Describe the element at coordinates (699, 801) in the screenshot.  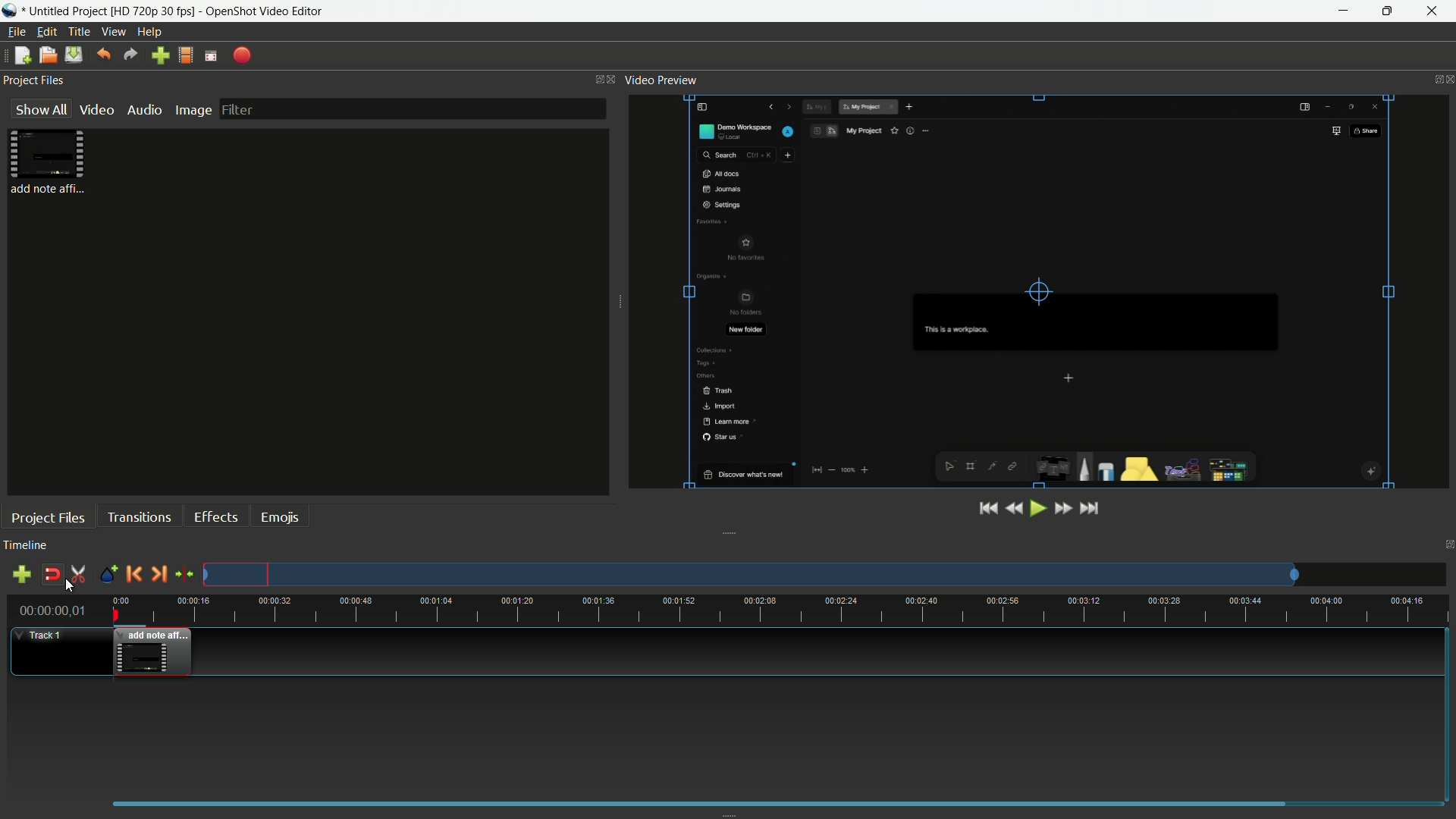
I see `scrollbar` at that location.